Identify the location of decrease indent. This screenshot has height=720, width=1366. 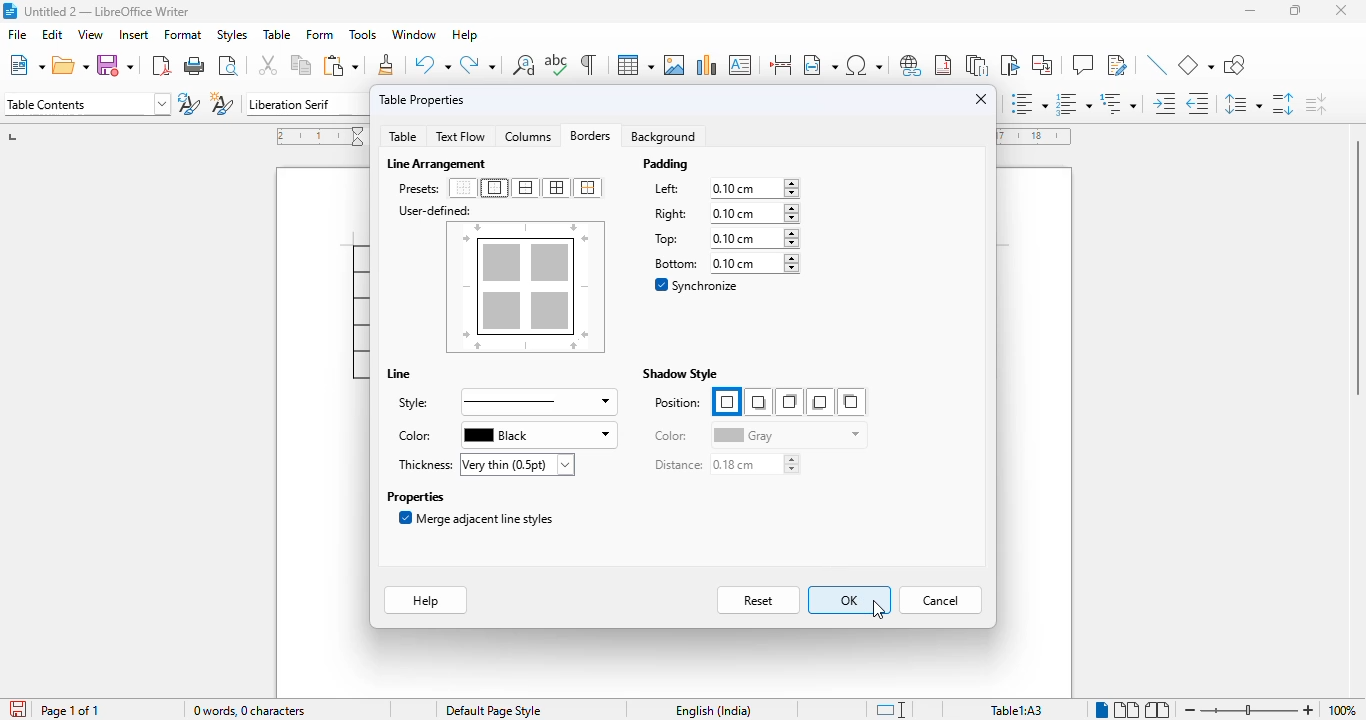
(1200, 103).